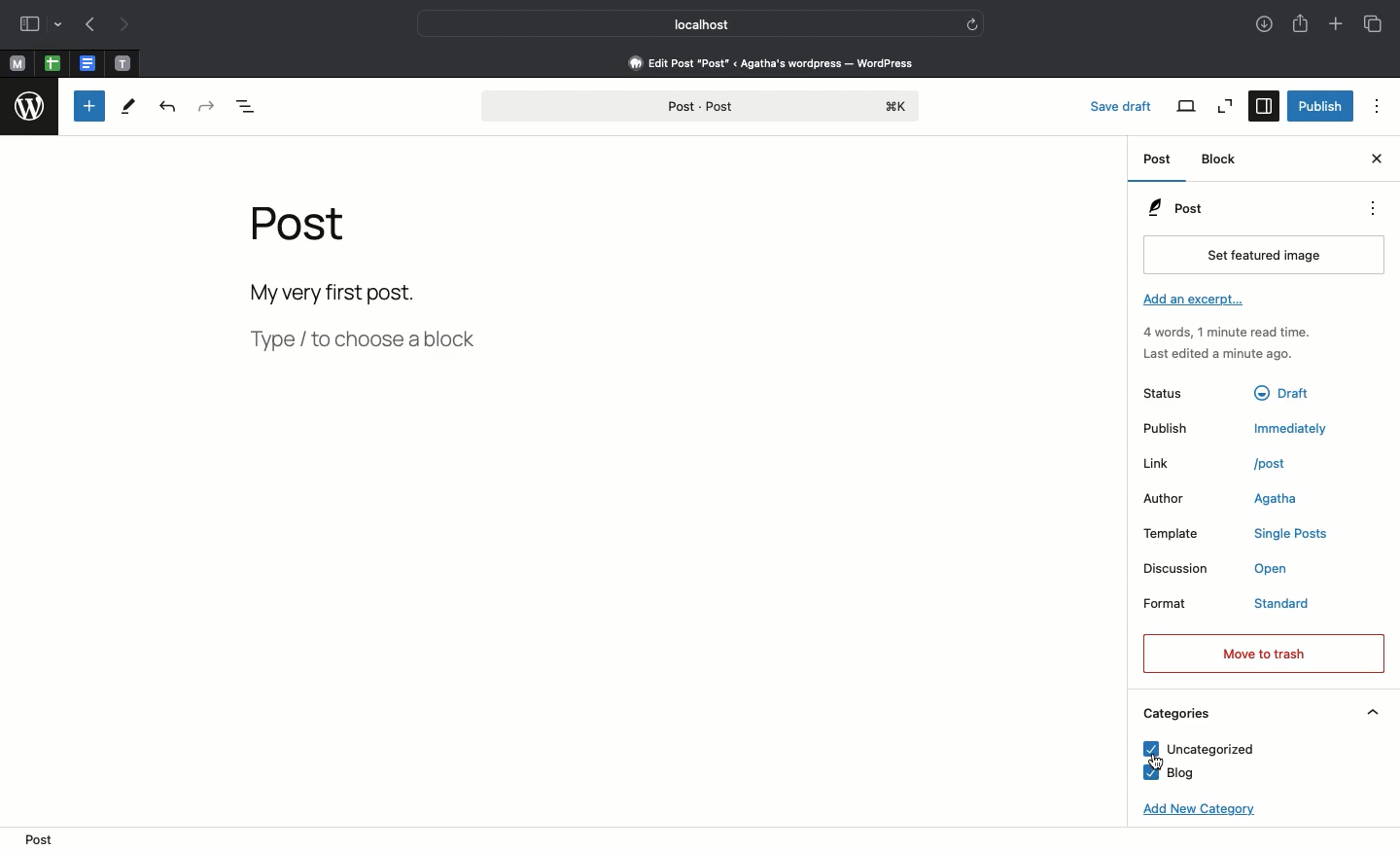 The width and height of the screenshot is (1400, 850). Describe the element at coordinates (1221, 159) in the screenshot. I see `Block` at that location.